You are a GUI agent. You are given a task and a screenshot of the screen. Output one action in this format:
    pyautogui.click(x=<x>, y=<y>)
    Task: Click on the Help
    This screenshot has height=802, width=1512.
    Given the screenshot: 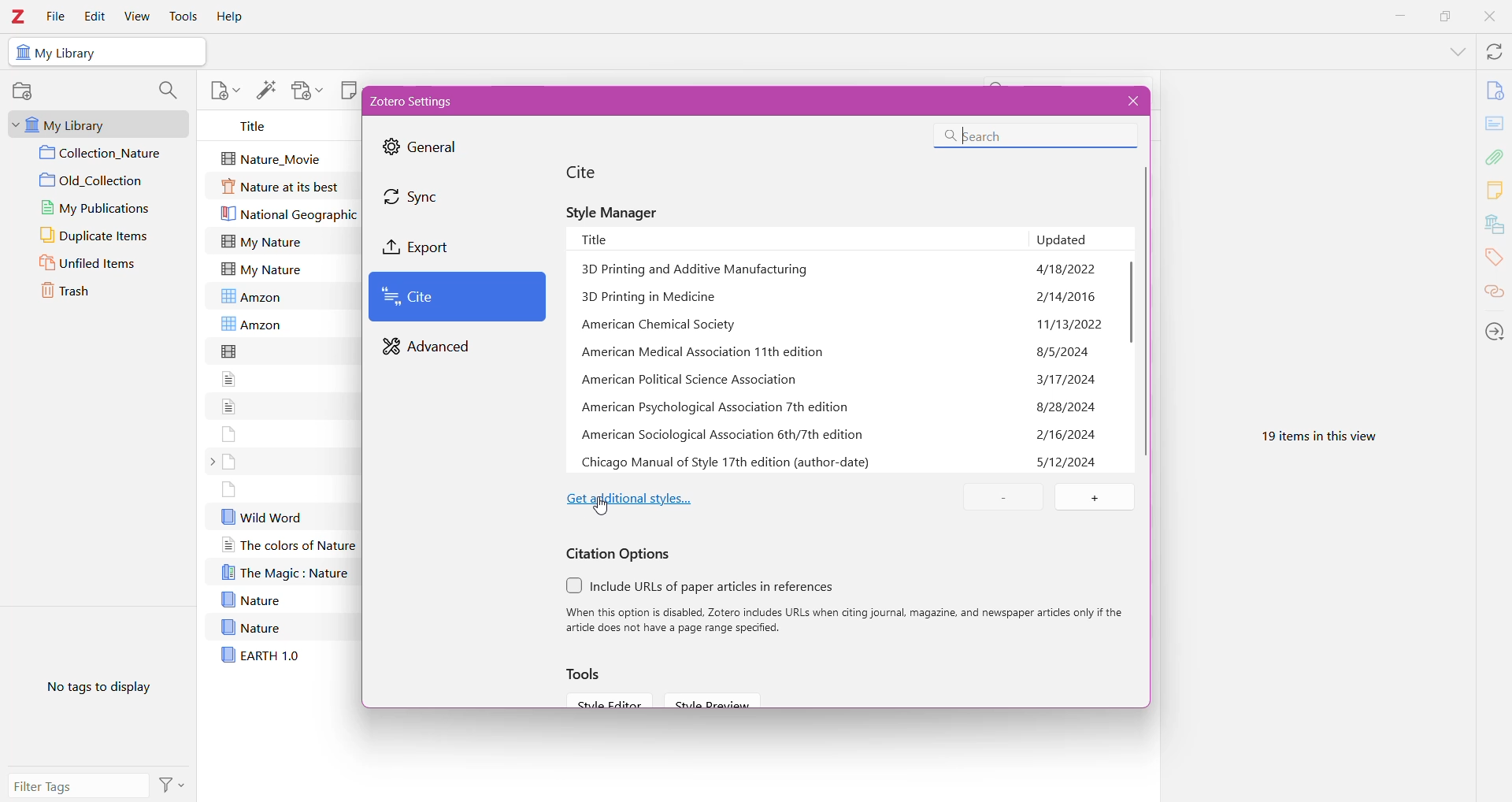 What is the action you would take?
    pyautogui.click(x=232, y=16)
    